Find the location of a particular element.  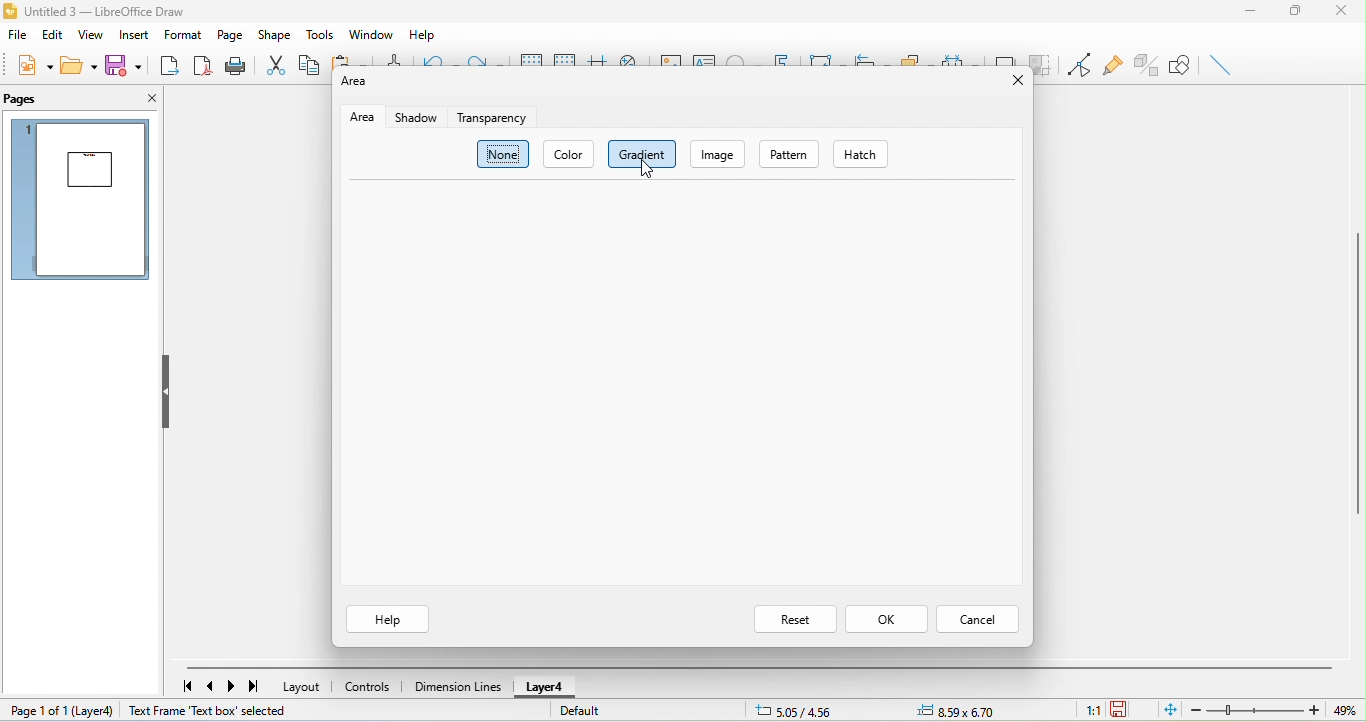

text box is located at coordinates (706, 58).